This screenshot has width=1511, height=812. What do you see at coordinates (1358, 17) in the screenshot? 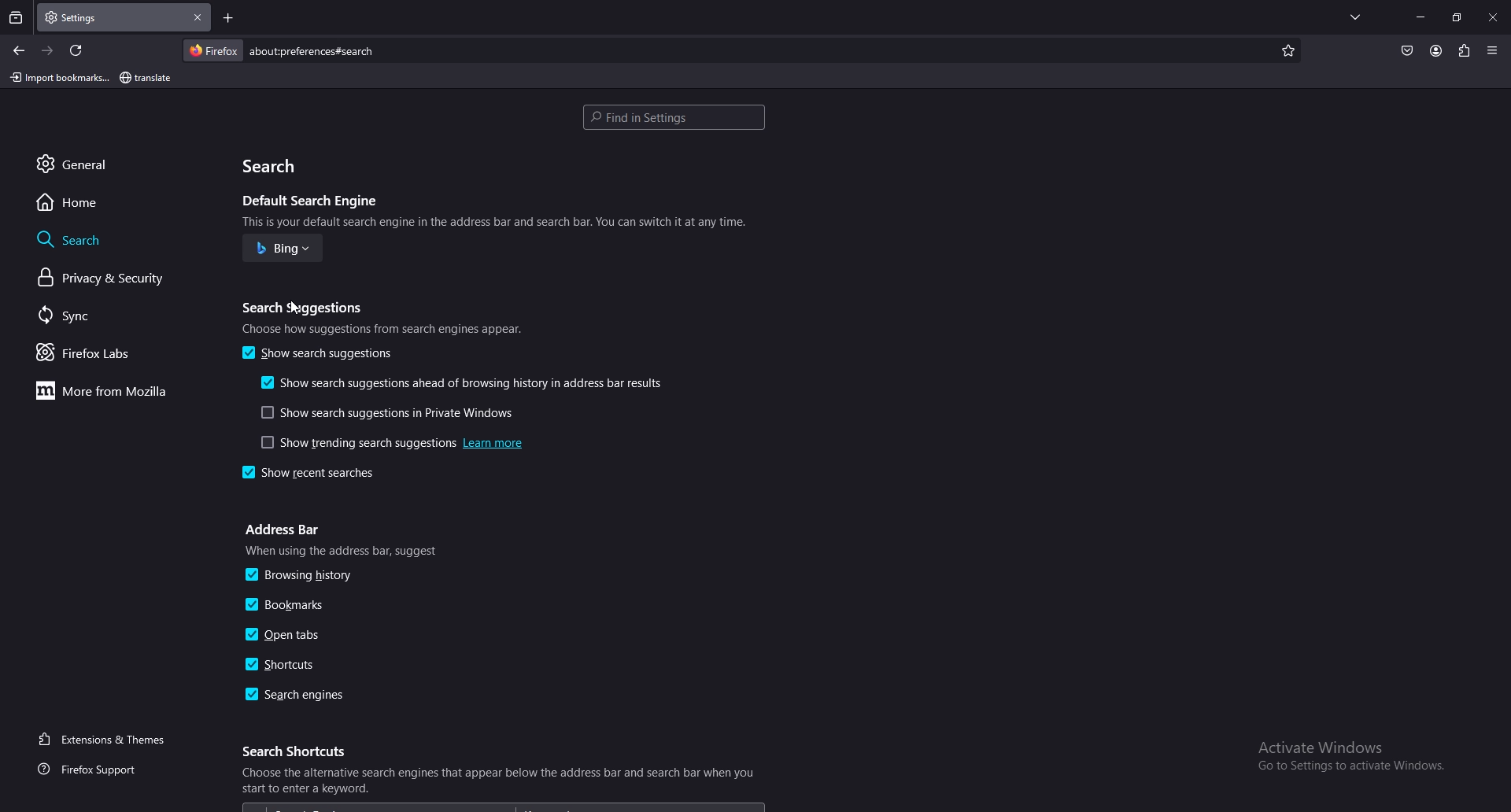
I see `list all tabs` at bounding box center [1358, 17].